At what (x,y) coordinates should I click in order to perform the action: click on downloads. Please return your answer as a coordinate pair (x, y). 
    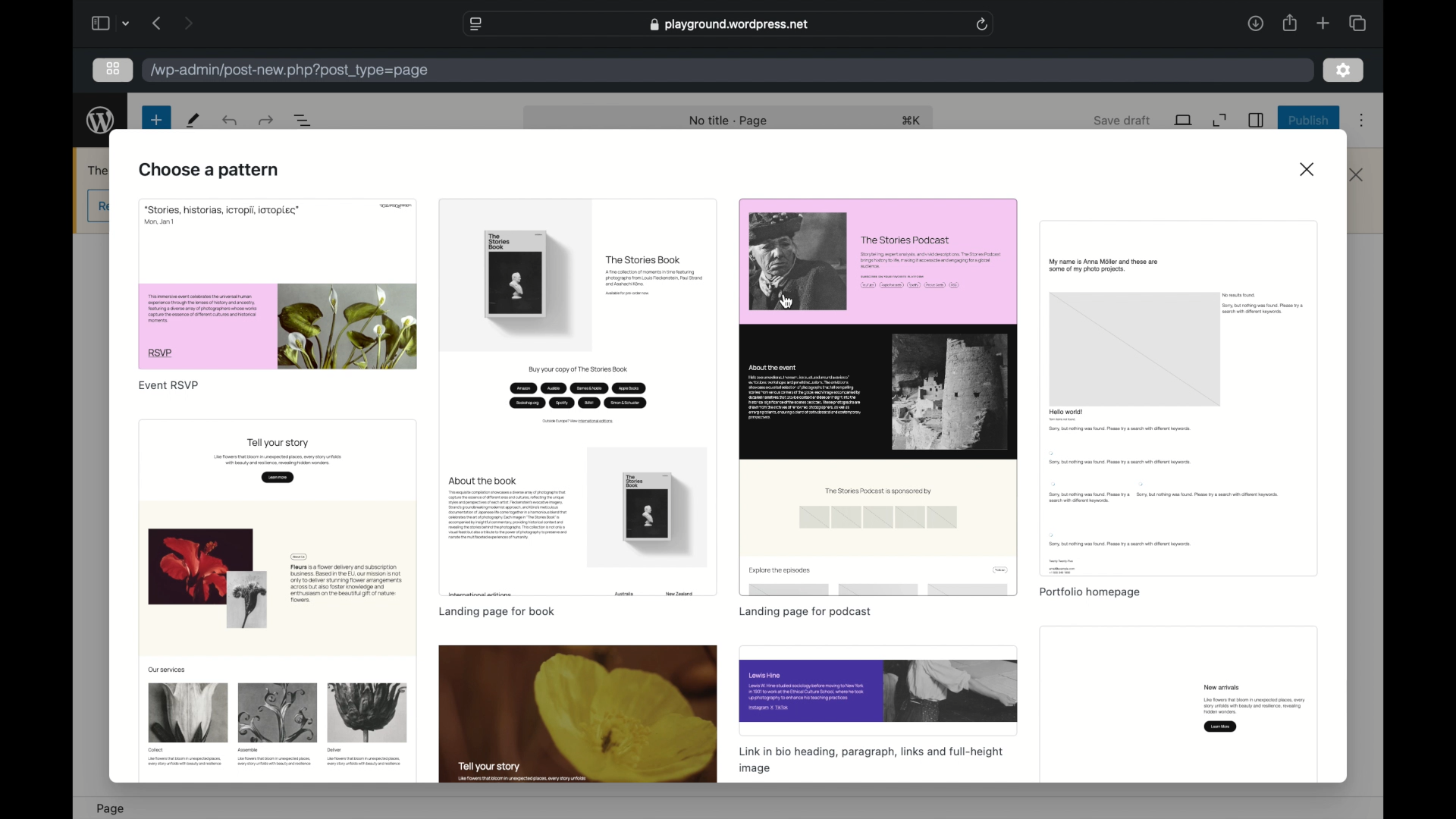
    Looking at the image, I should click on (1255, 23).